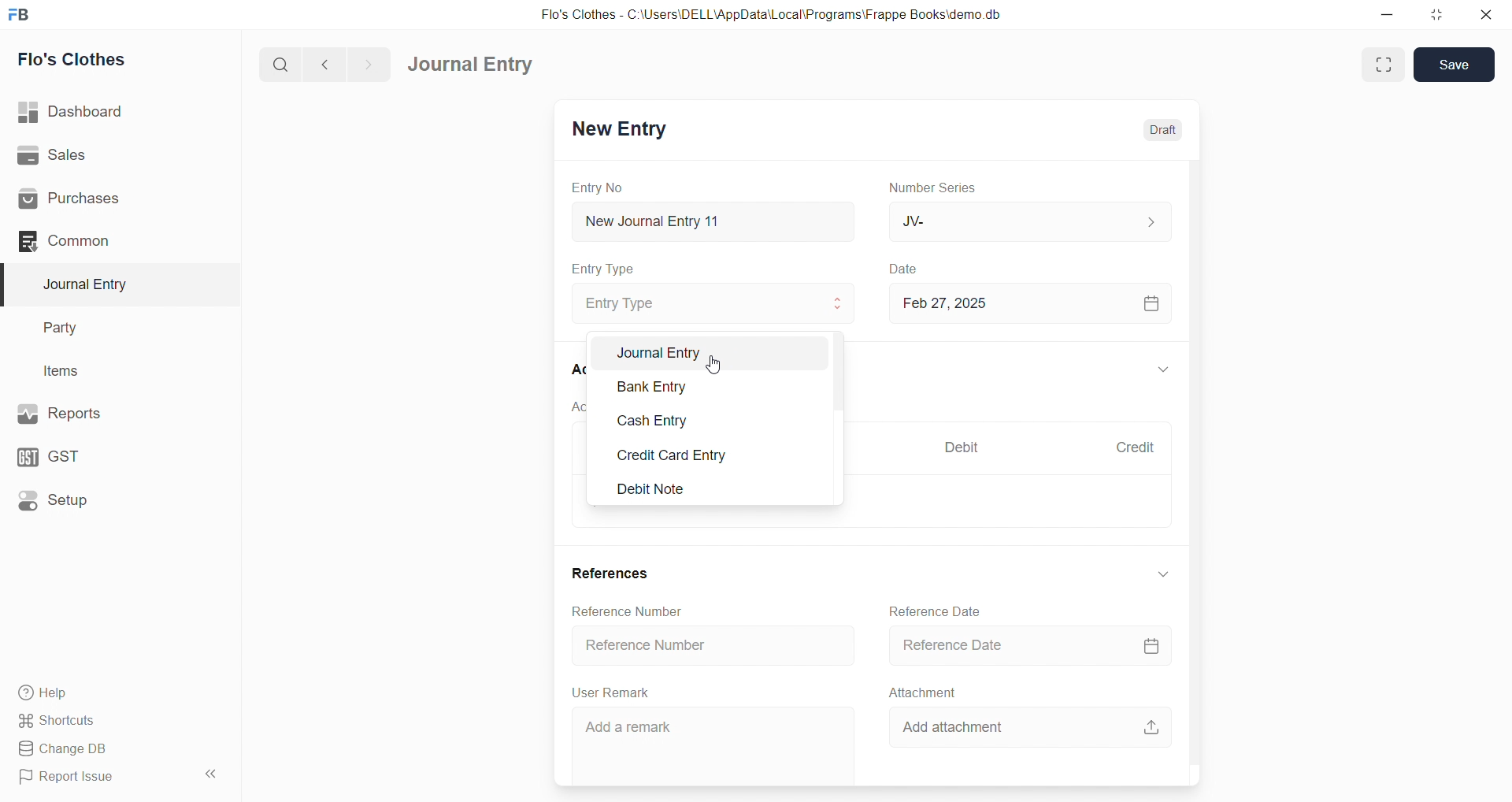 The width and height of the screenshot is (1512, 802). I want to click on Entry Type, so click(604, 269).